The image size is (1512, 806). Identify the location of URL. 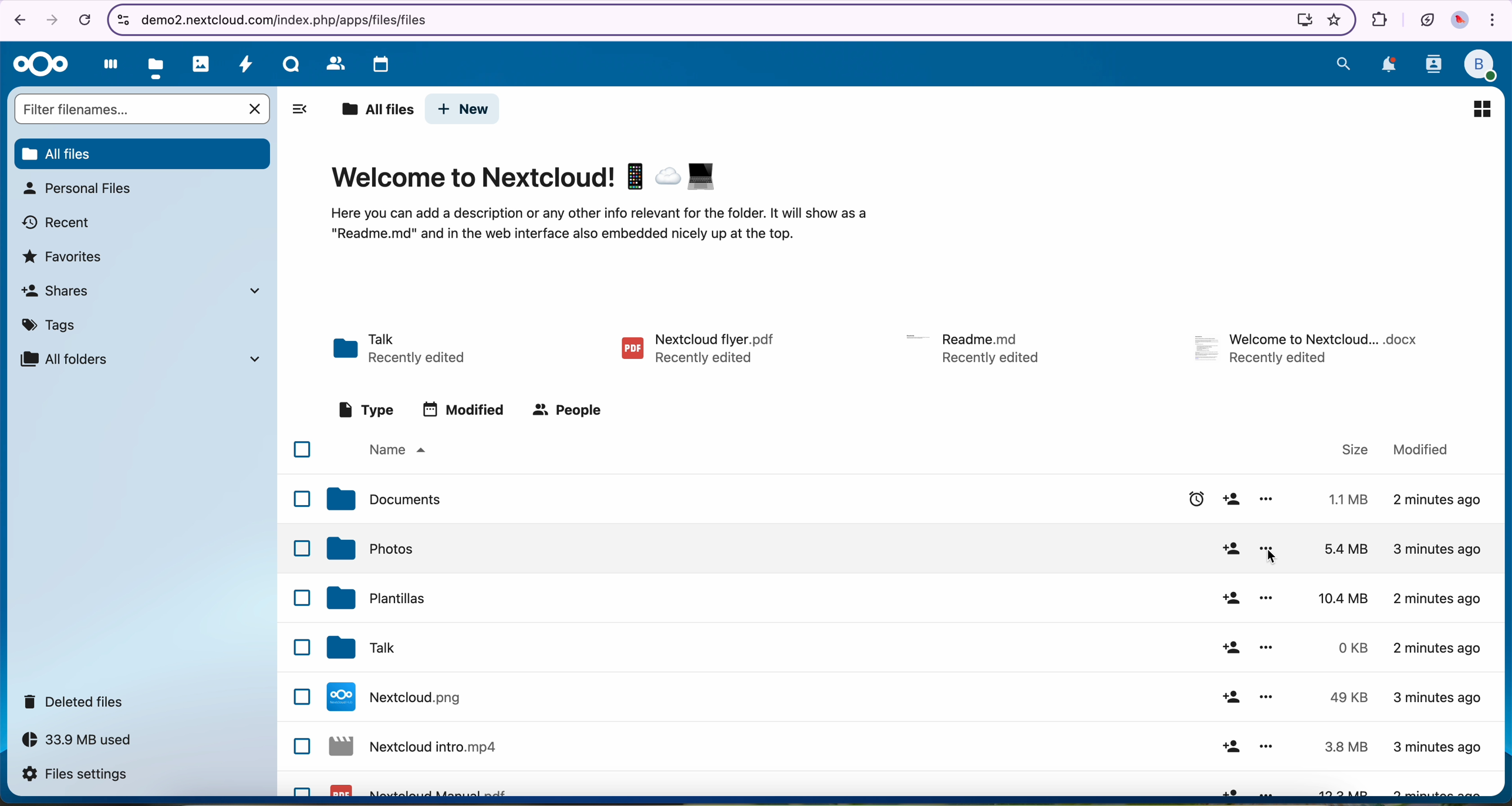
(293, 19).